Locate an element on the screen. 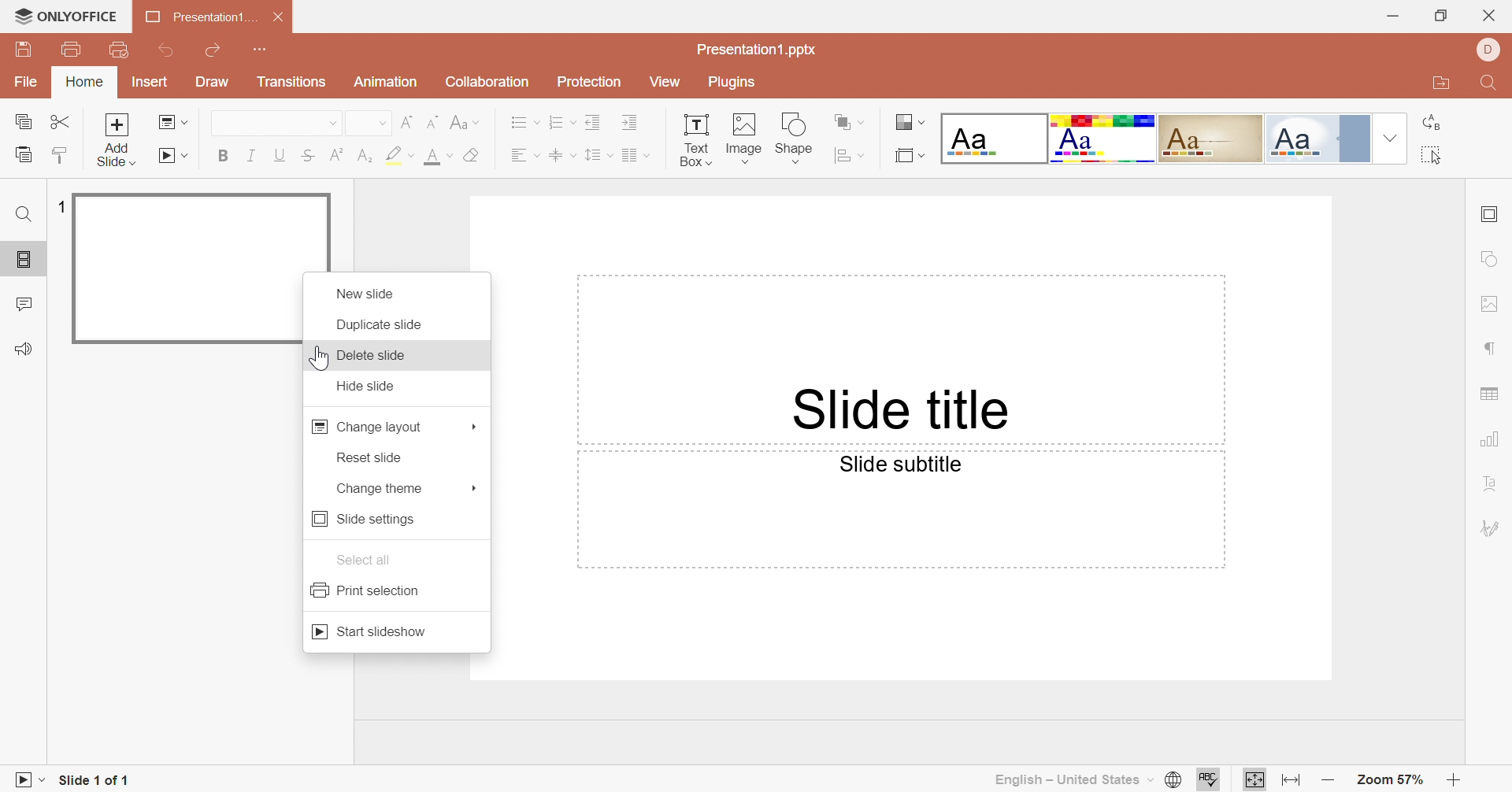 The width and height of the screenshot is (1512, 792). Undo is located at coordinates (168, 50).